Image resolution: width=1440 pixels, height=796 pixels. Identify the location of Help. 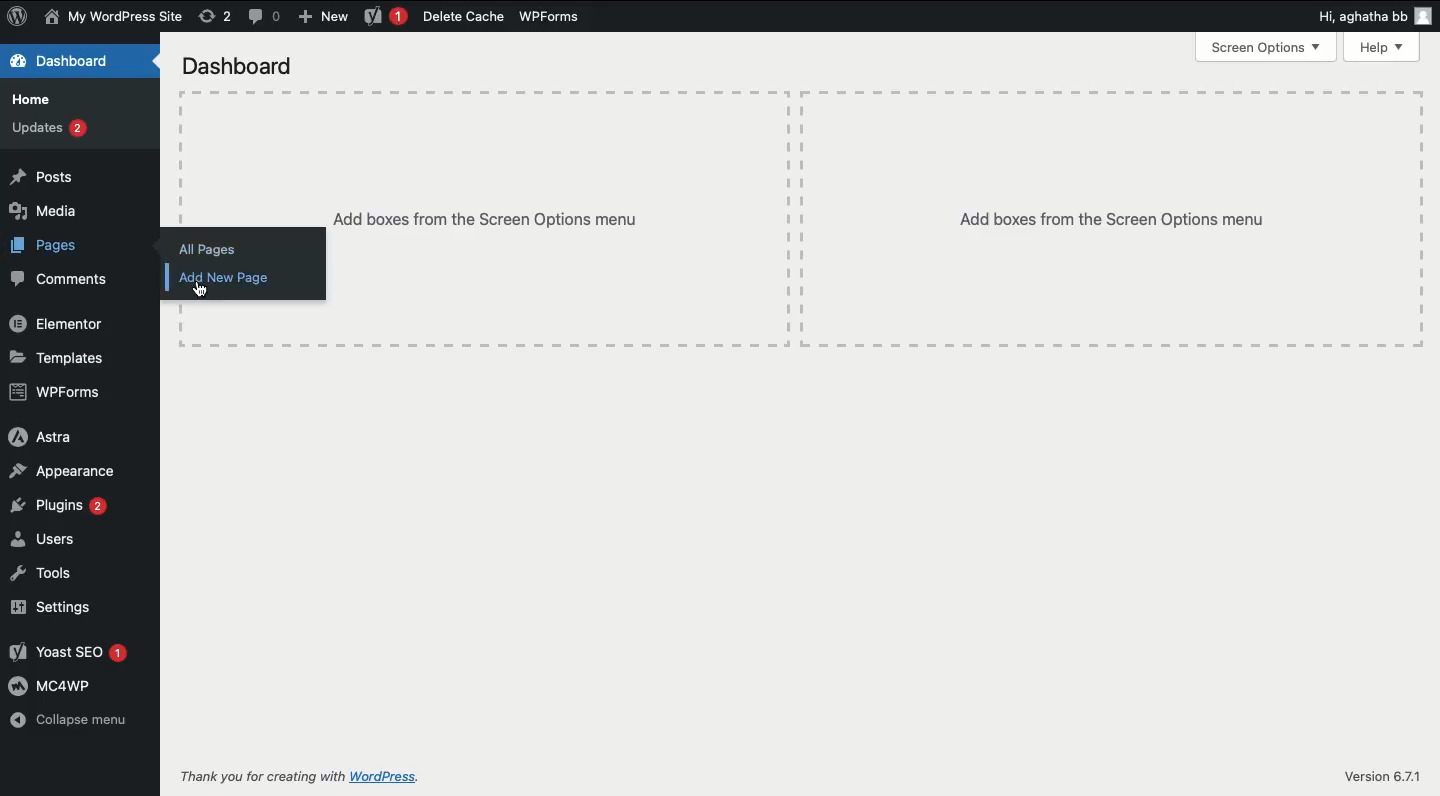
(1384, 47).